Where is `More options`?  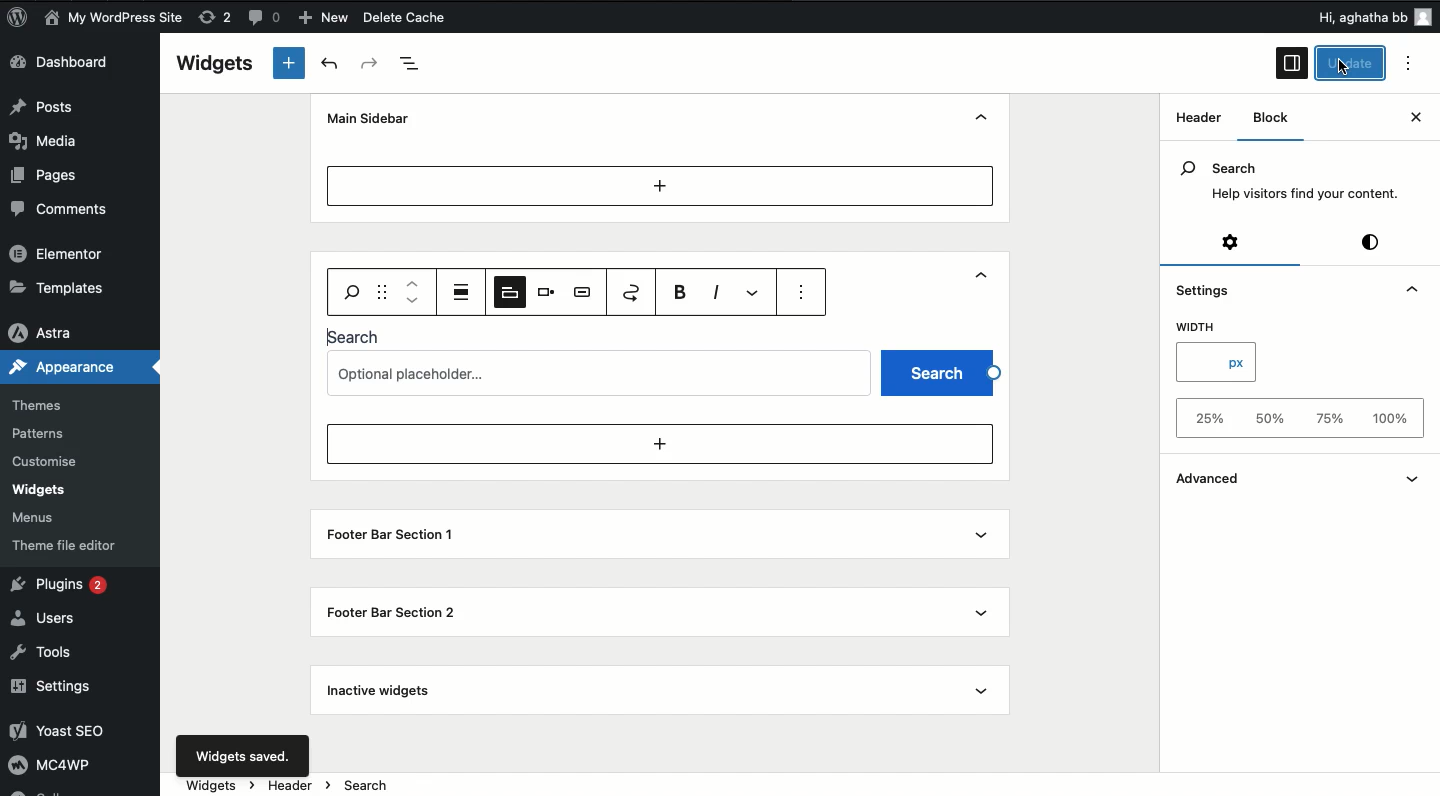 More options is located at coordinates (756, 292).